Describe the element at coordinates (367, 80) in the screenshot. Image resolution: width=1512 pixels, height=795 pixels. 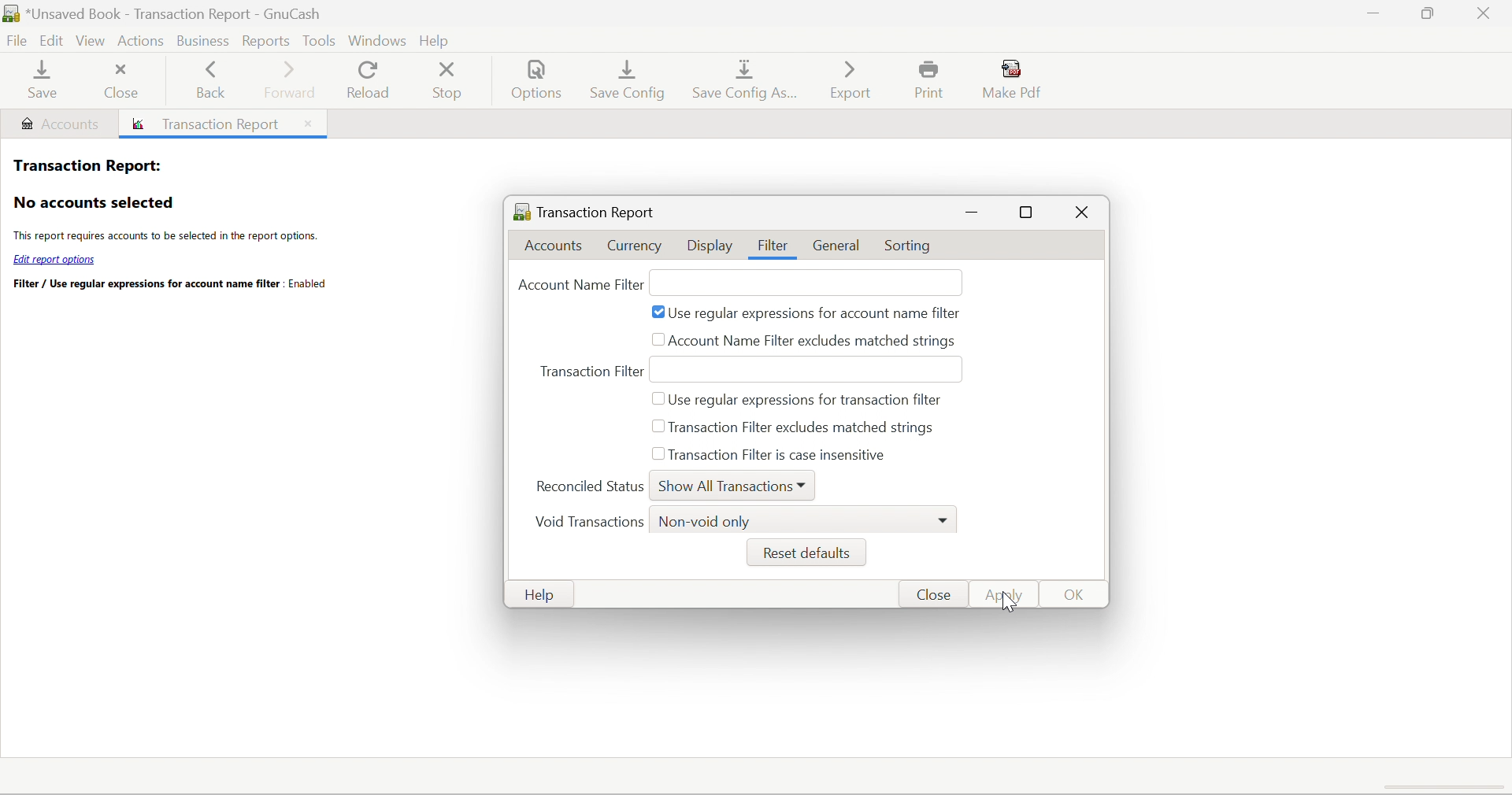
I see `Reload` at that location.